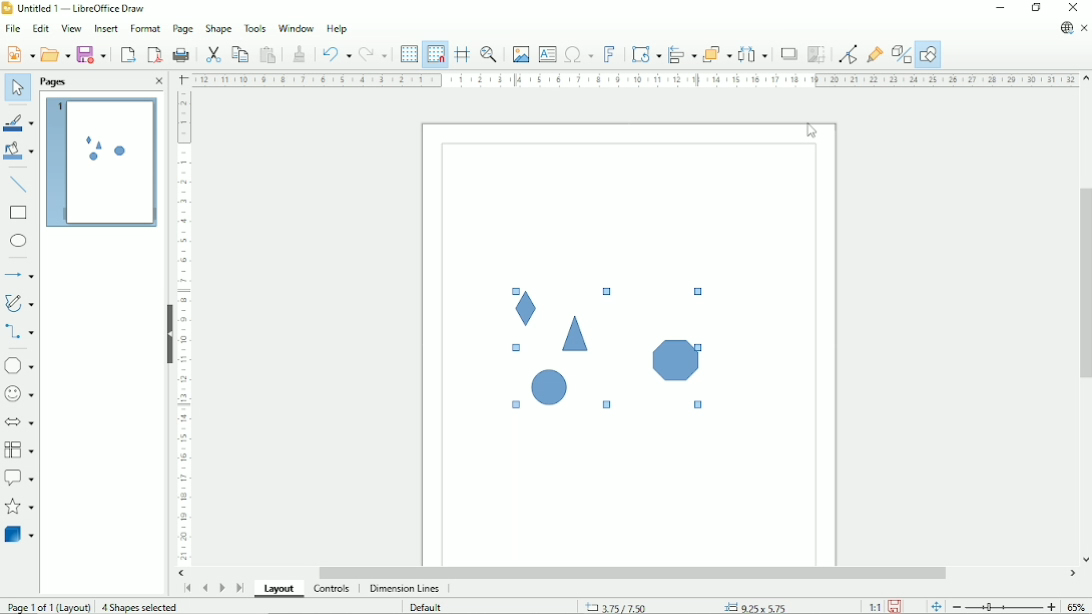  I want to click on Insert, so click(105, 29).